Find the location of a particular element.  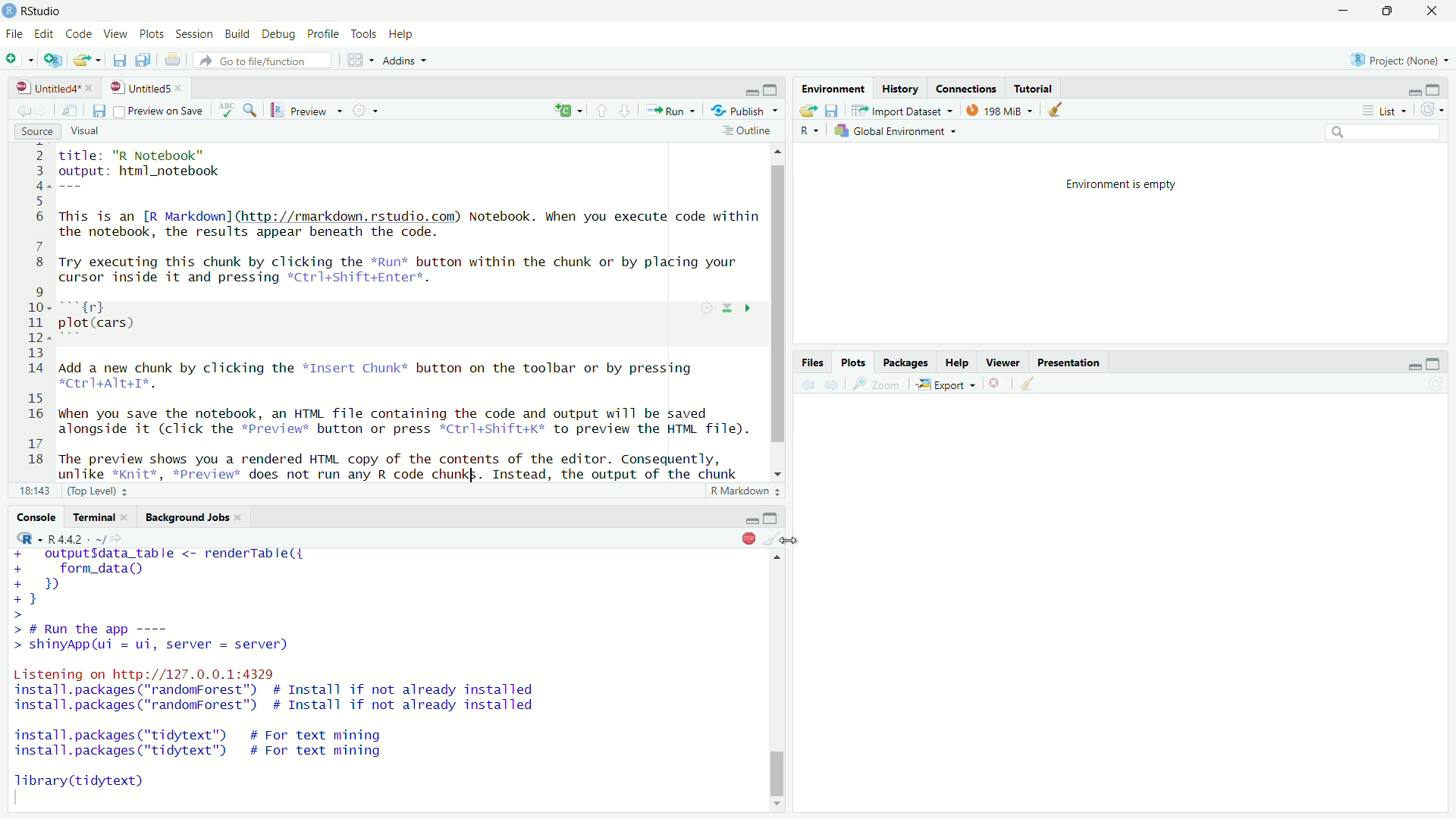

close is located at coordinates (999, 383).